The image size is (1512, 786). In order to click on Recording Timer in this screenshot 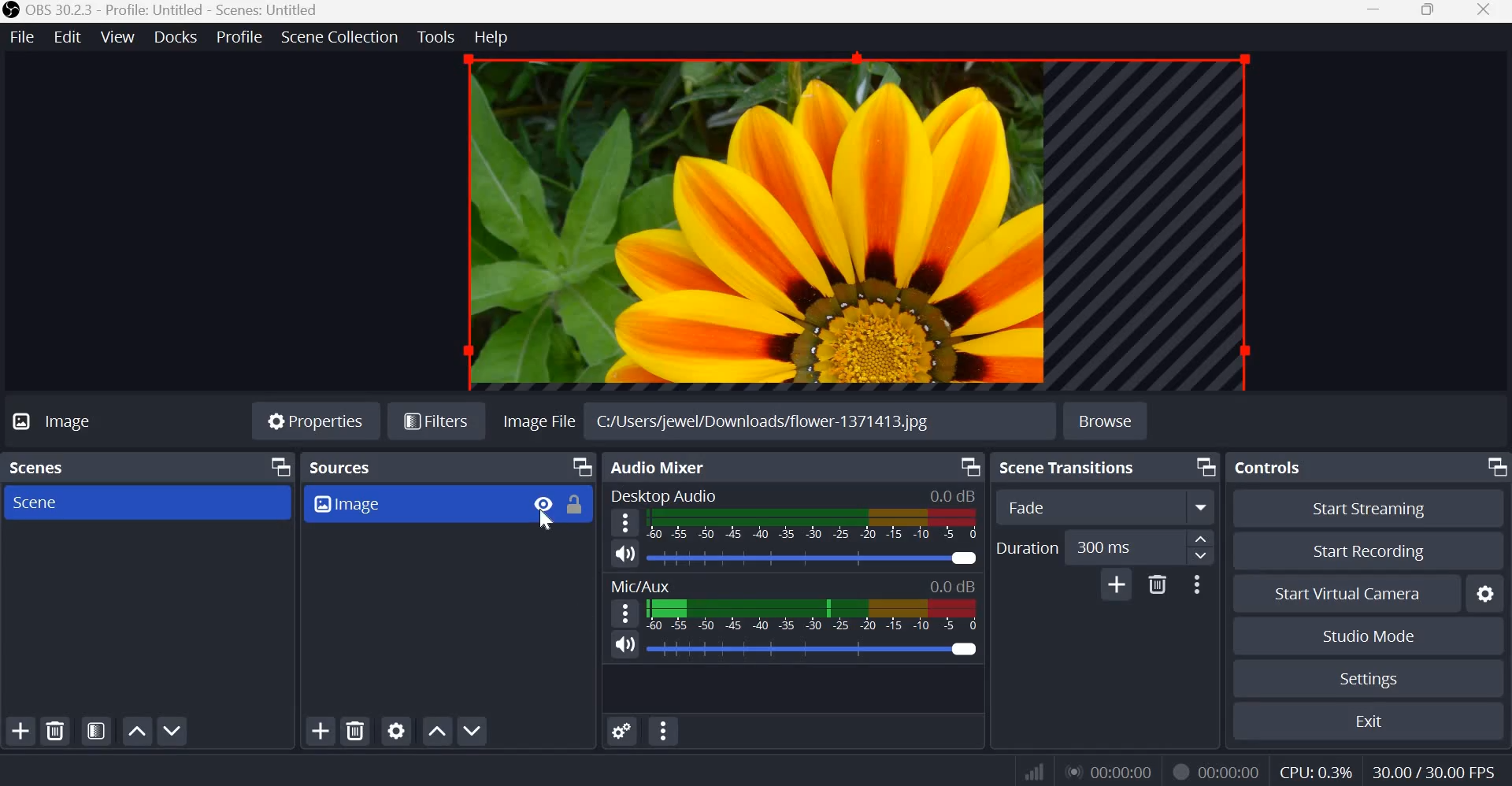, I will do `click(1230, 773)`.